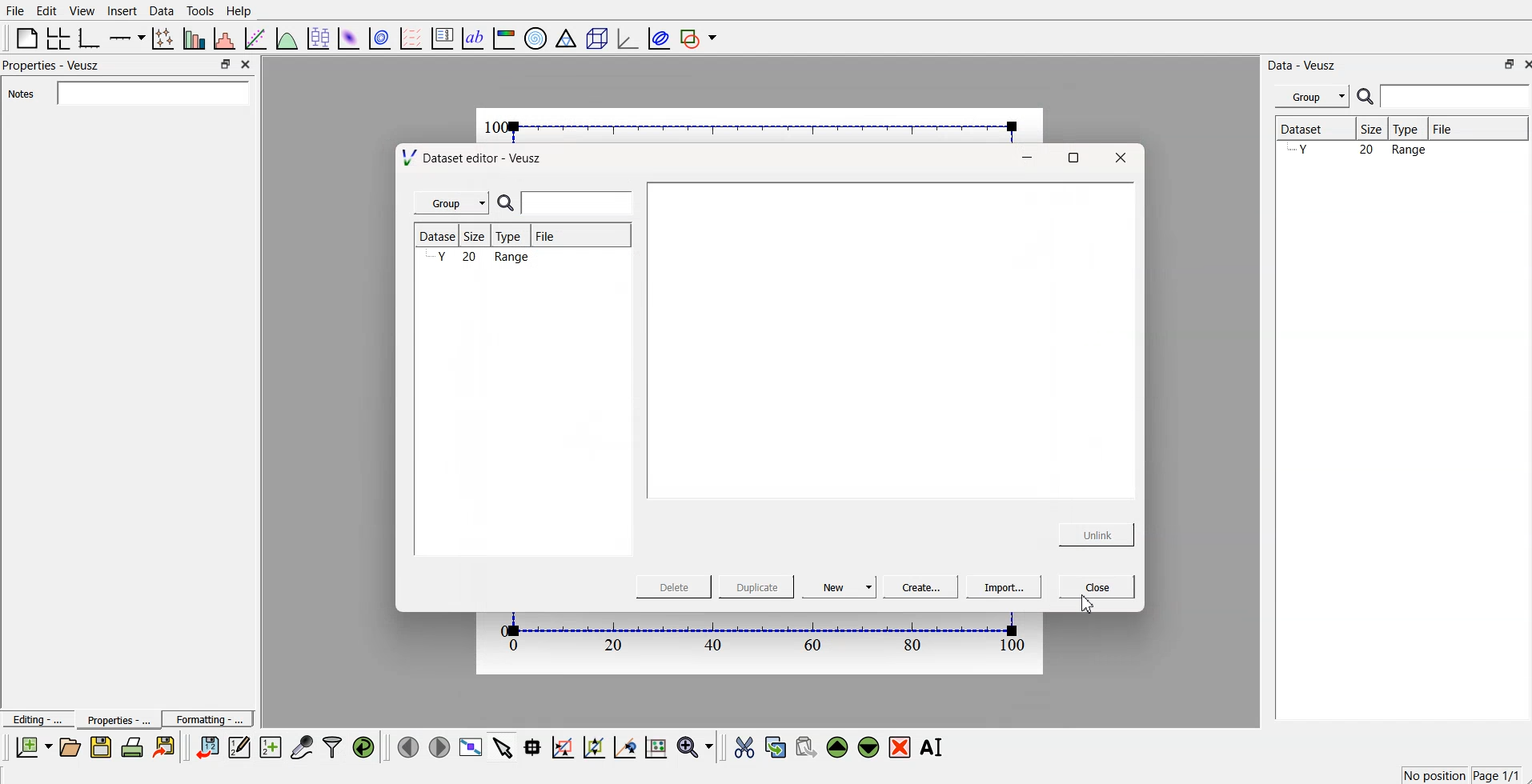 The height and width of the screenshot is (784, 1532). I want to click on Properties, so click(113, 719).